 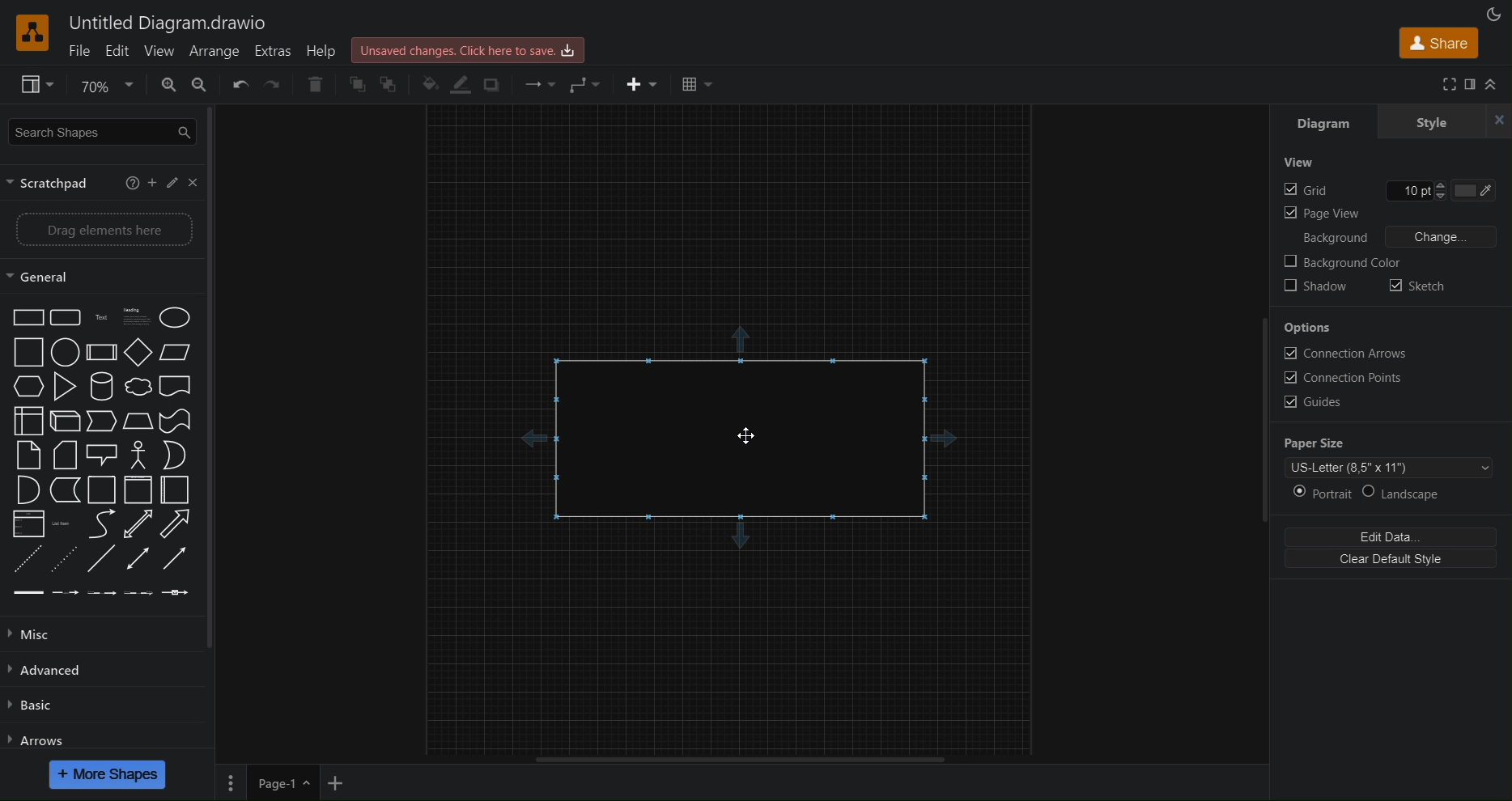 What do you see at coordinates (57, 184) in the screenshot?
I see `Scratchpad` at bounding box center [57, 184].